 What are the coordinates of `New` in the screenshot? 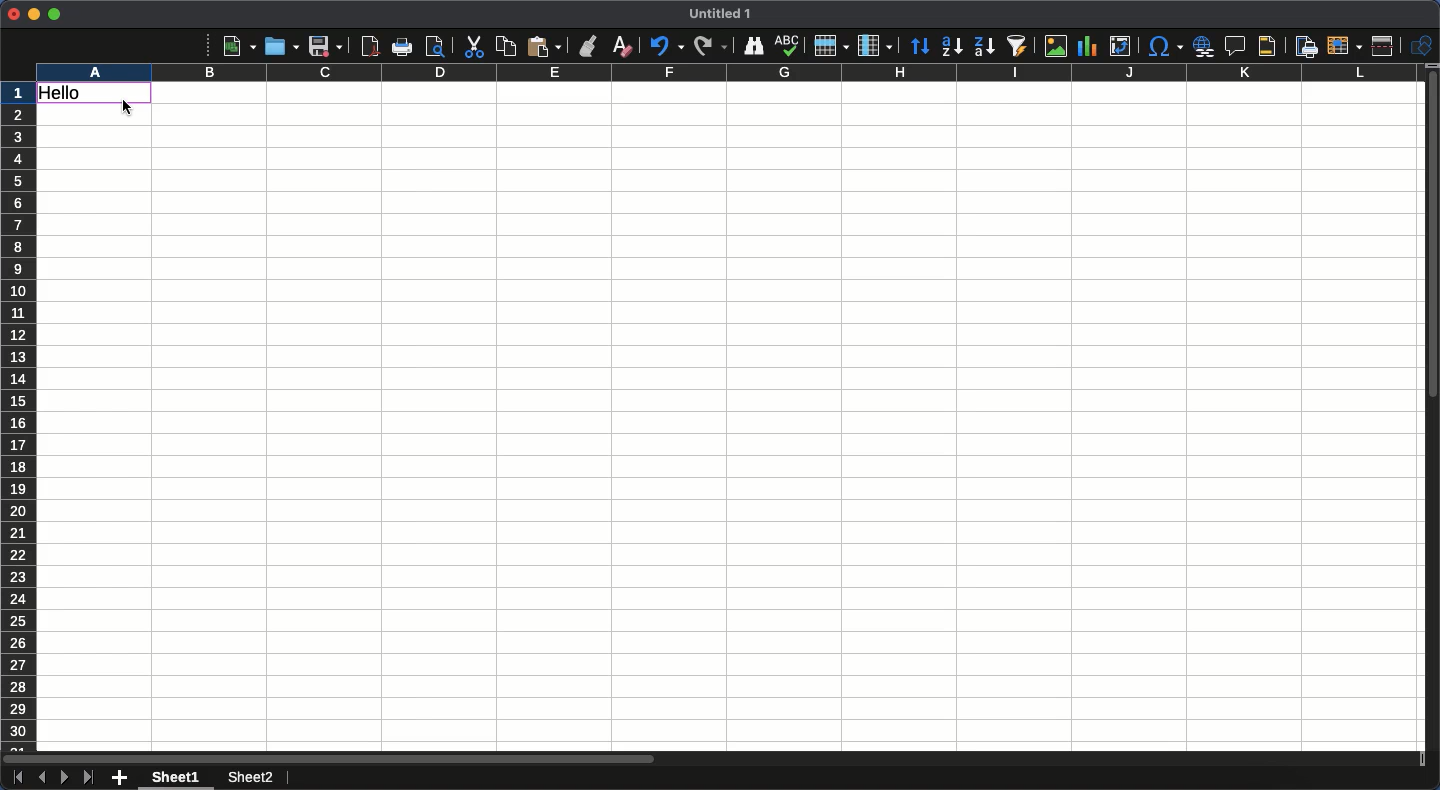 It's located at (239, 45).